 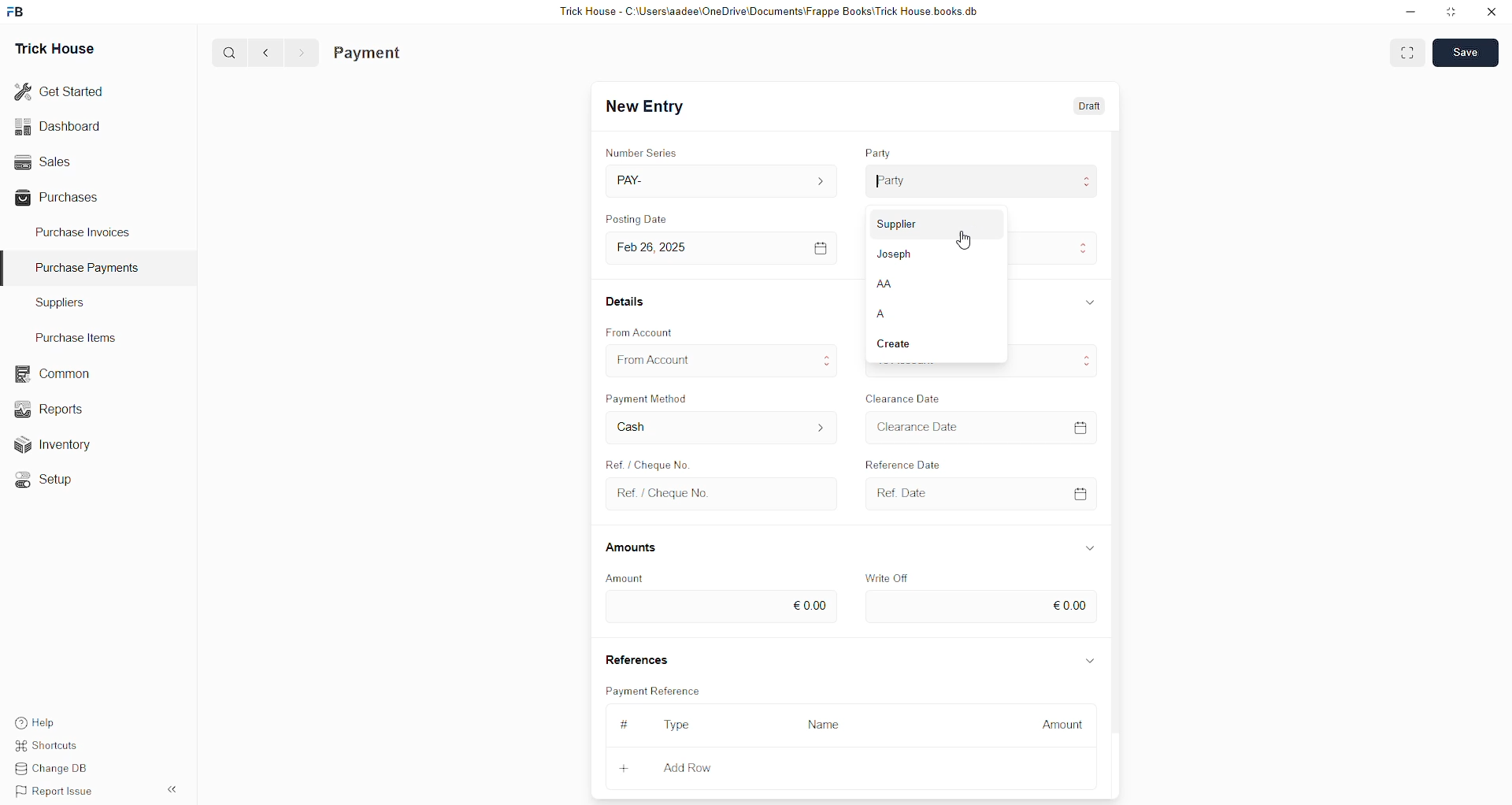 I want to click on search, so click(x=231, y=53).